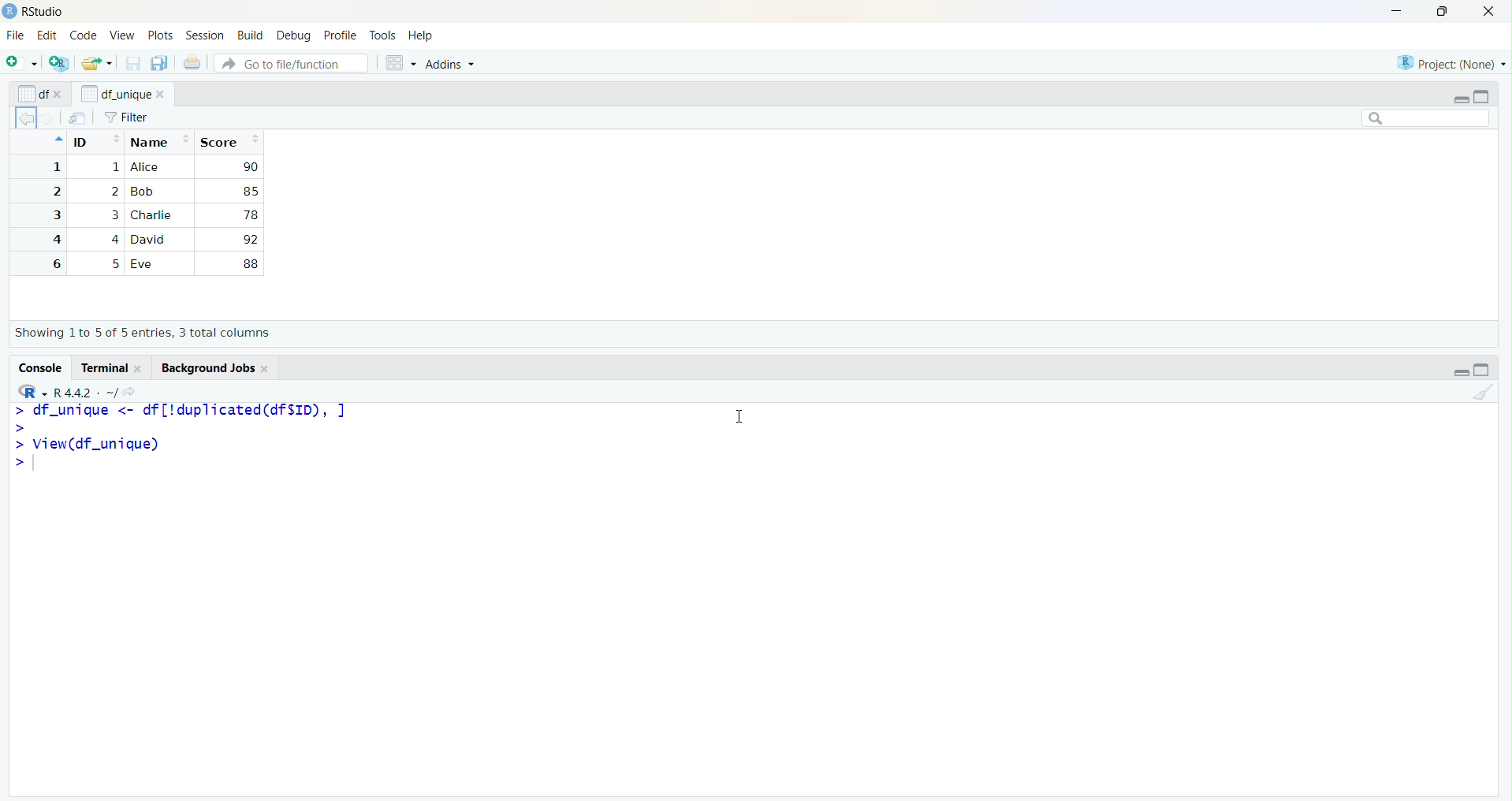  What do you see at coordinates (78, 118) in the screenshot?
I see `file` at bounding box center [78, 118].